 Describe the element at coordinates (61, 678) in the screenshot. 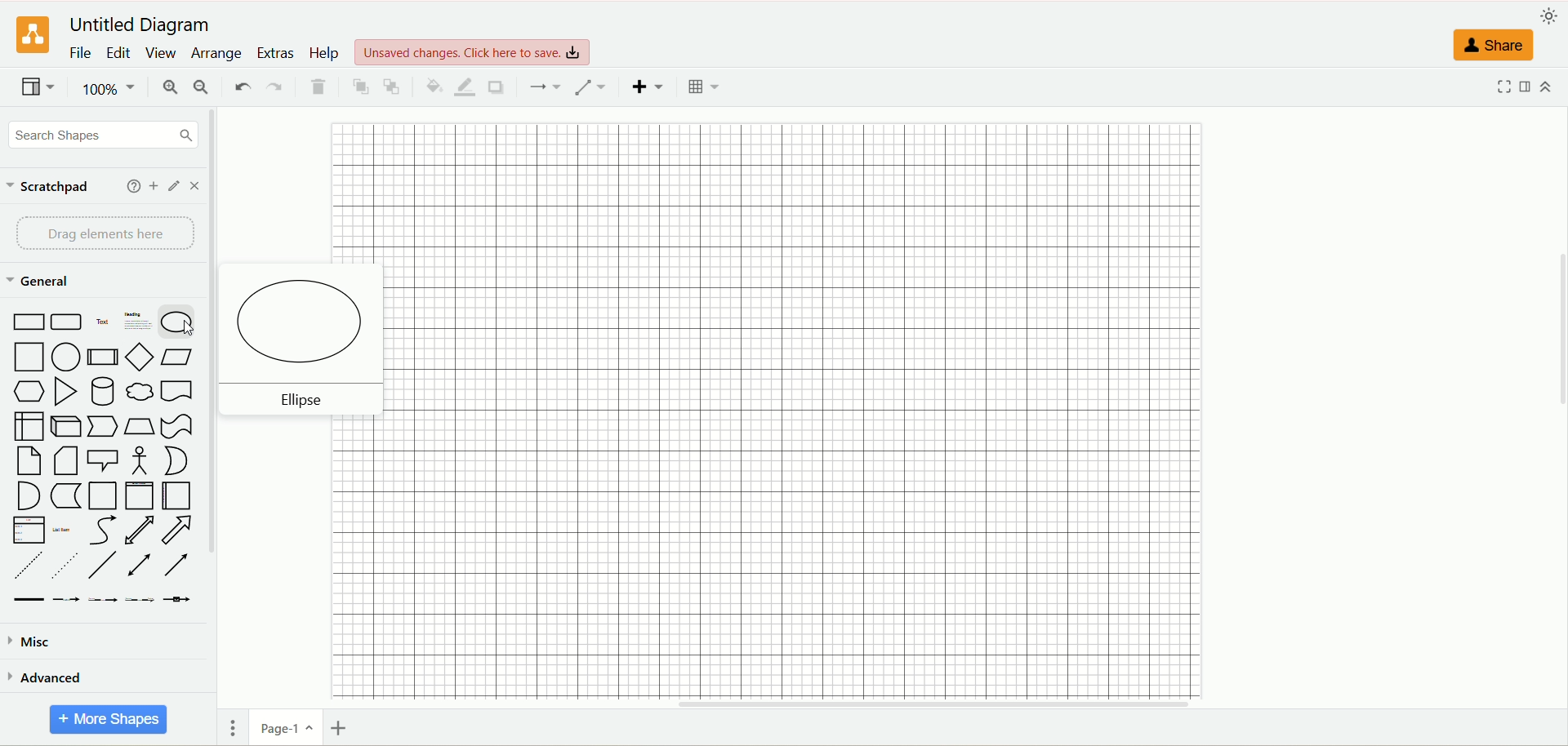

I see `advanced` at that location.